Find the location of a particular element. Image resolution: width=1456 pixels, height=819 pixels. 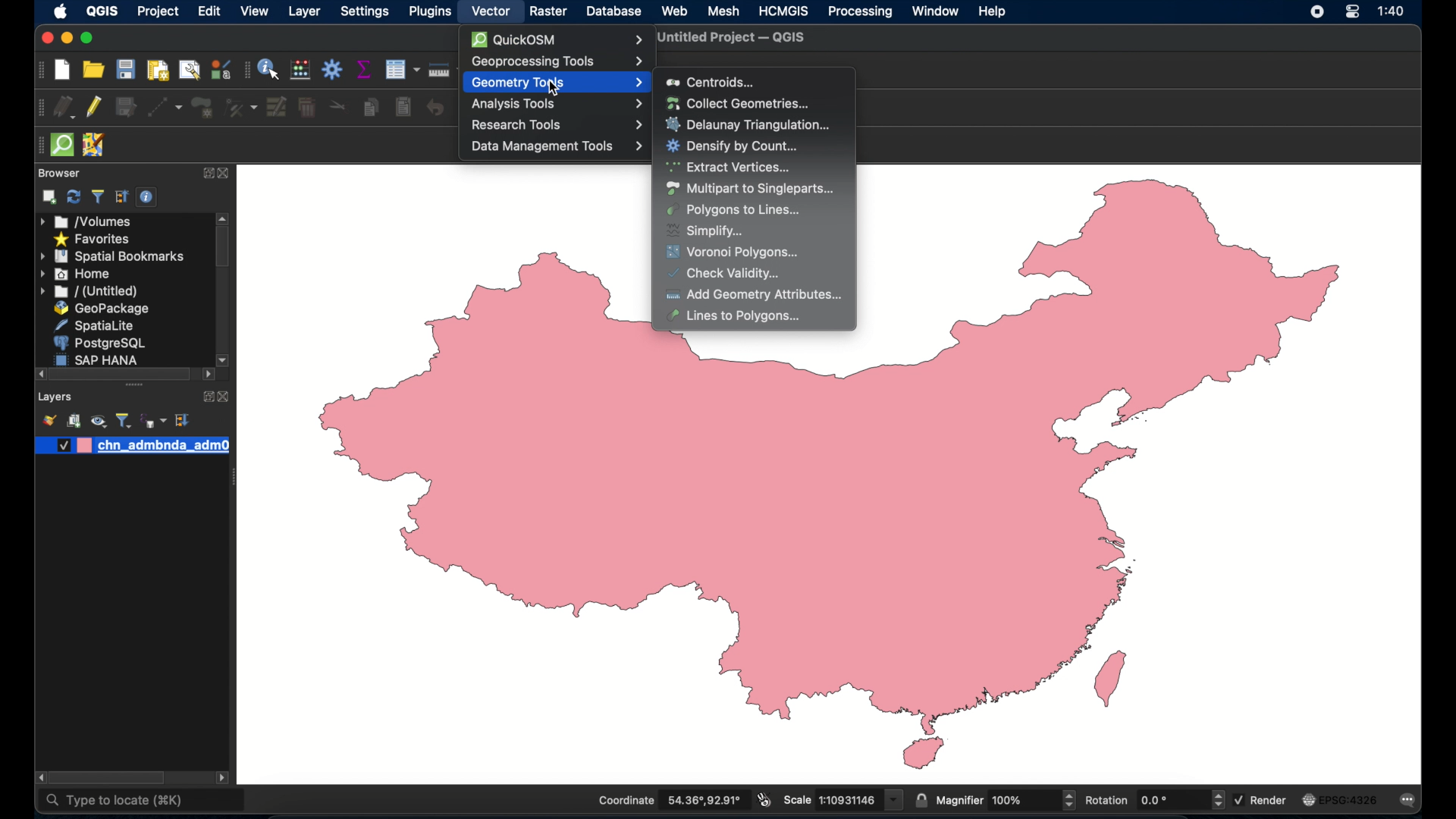

drag handles is located at coordinates (136, 387).